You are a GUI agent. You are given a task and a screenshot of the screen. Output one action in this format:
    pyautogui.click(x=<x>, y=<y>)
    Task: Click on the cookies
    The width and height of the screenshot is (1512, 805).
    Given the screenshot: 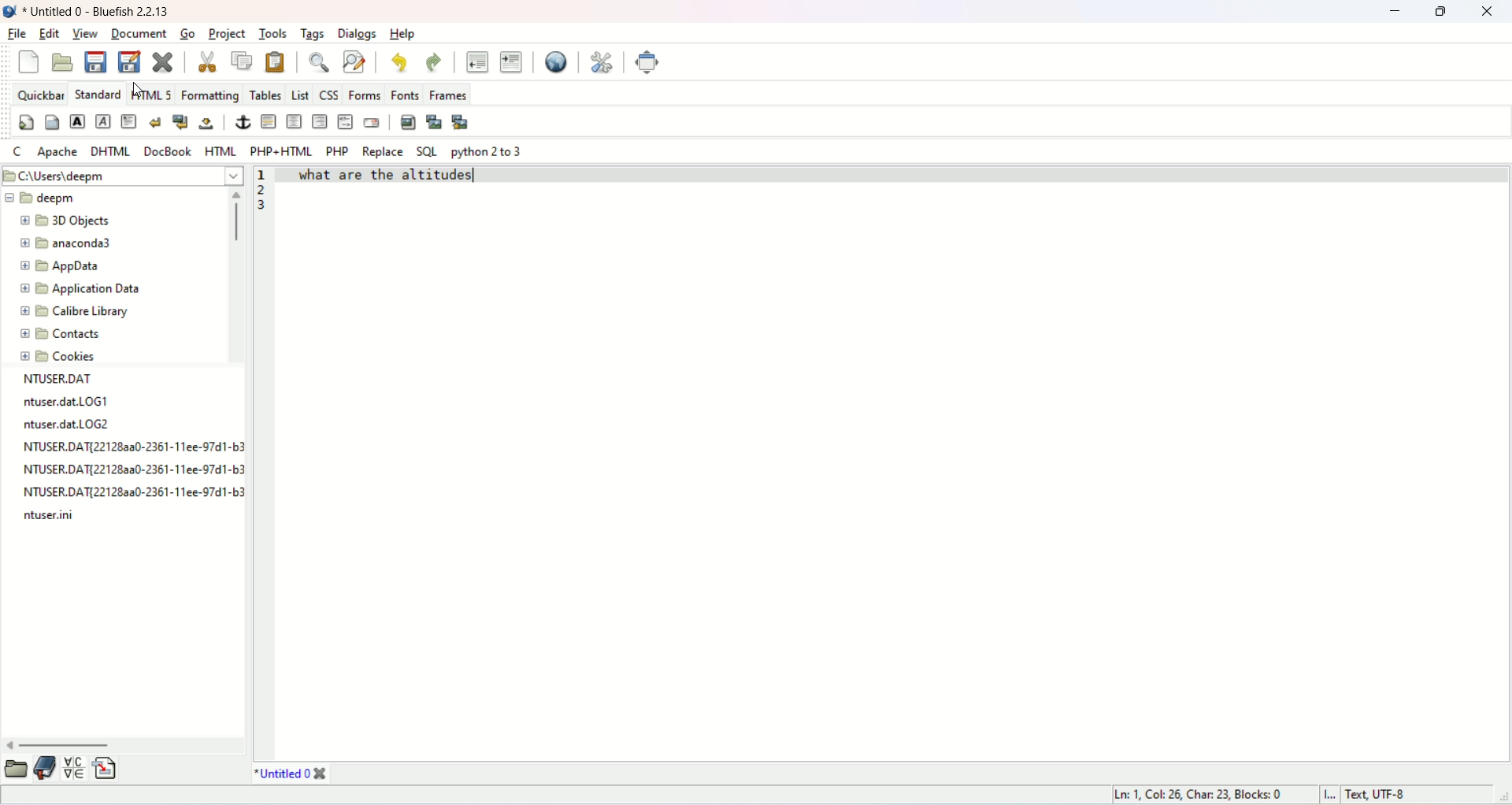 What is the action you would take?
    pyautogui.click(x=60, y=358)
    